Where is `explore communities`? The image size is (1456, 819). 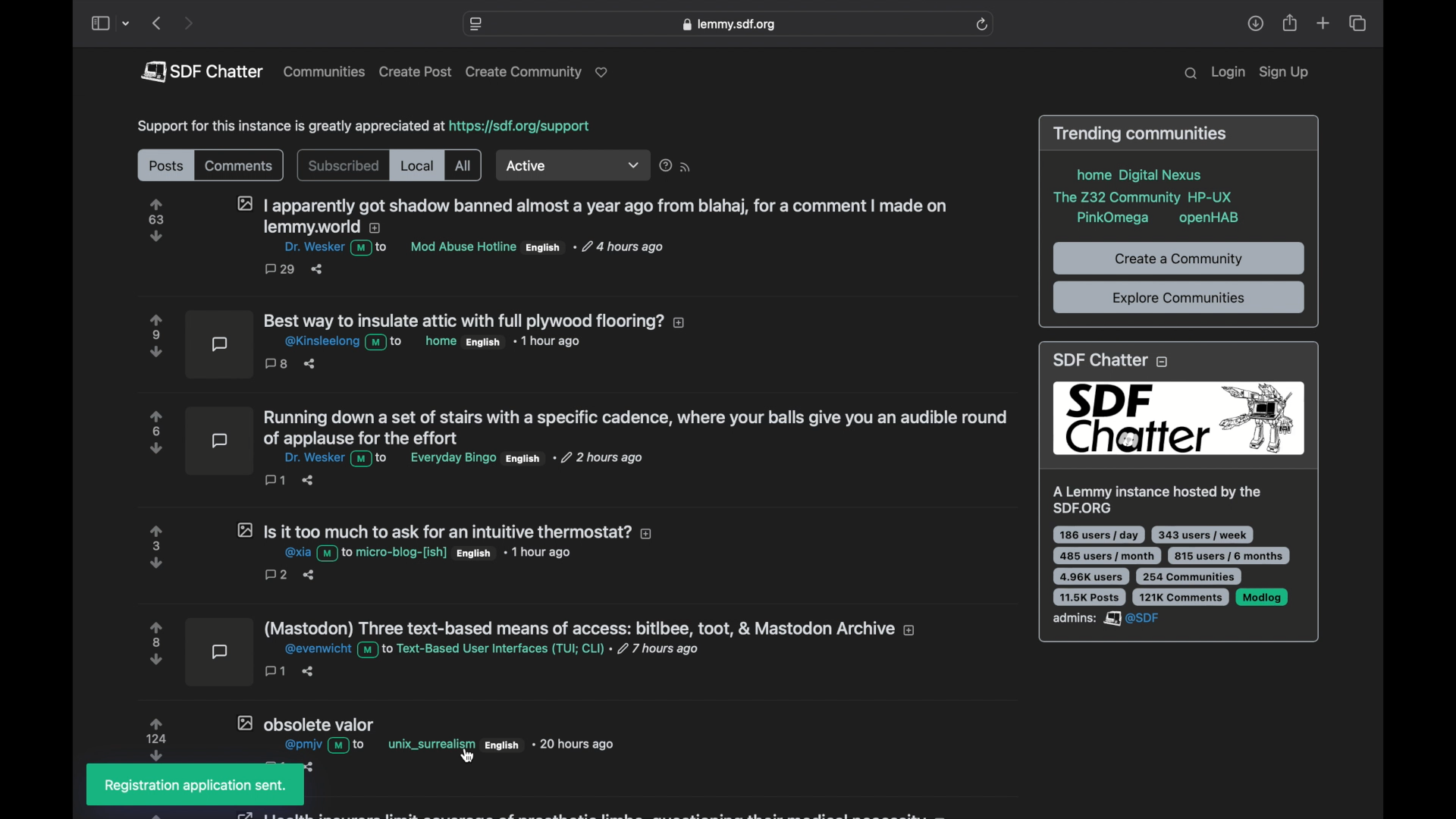
explore communities is located at coordinates (1178, 299).